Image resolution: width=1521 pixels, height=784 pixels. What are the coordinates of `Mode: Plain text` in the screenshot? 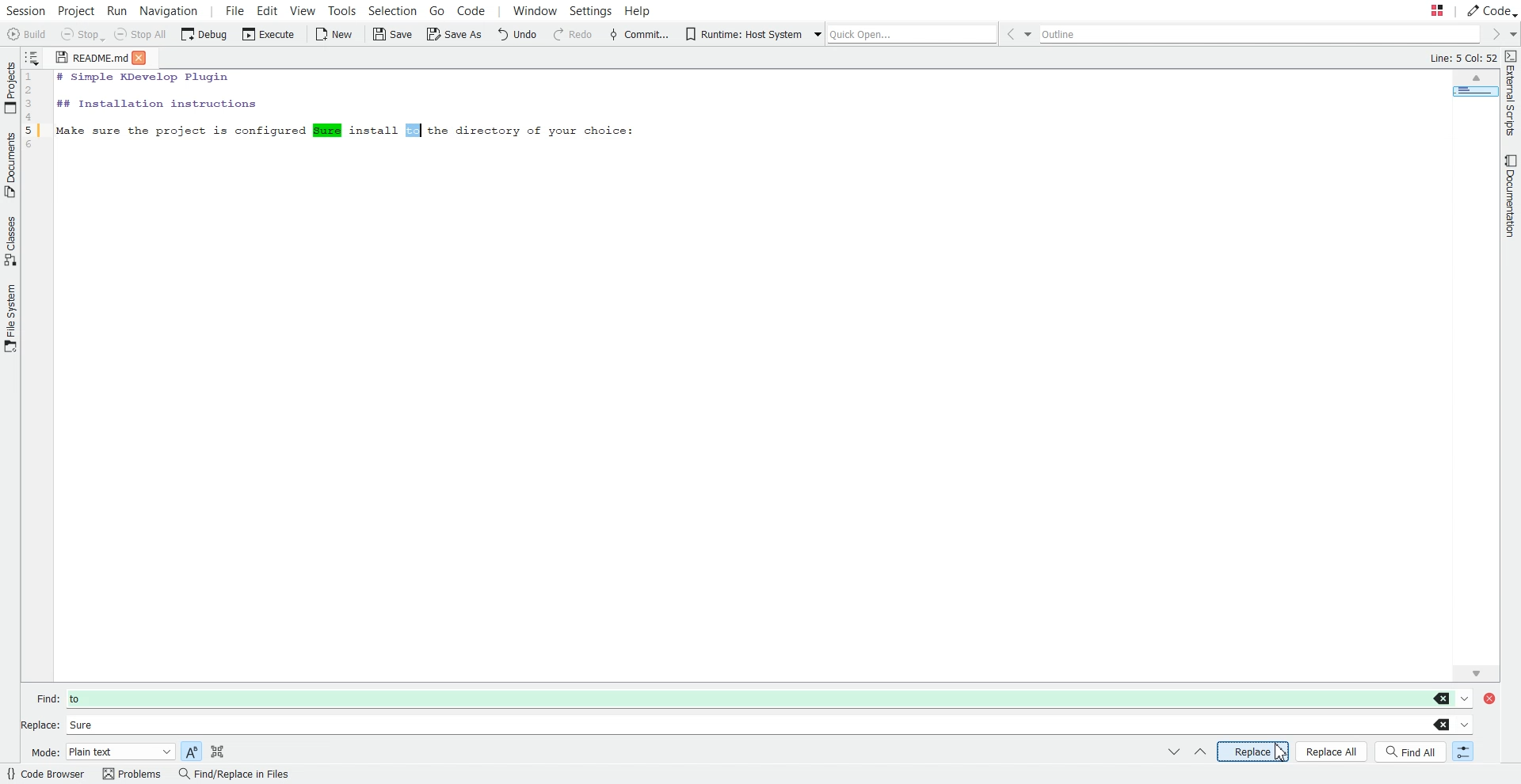 It's located at (101, 752).